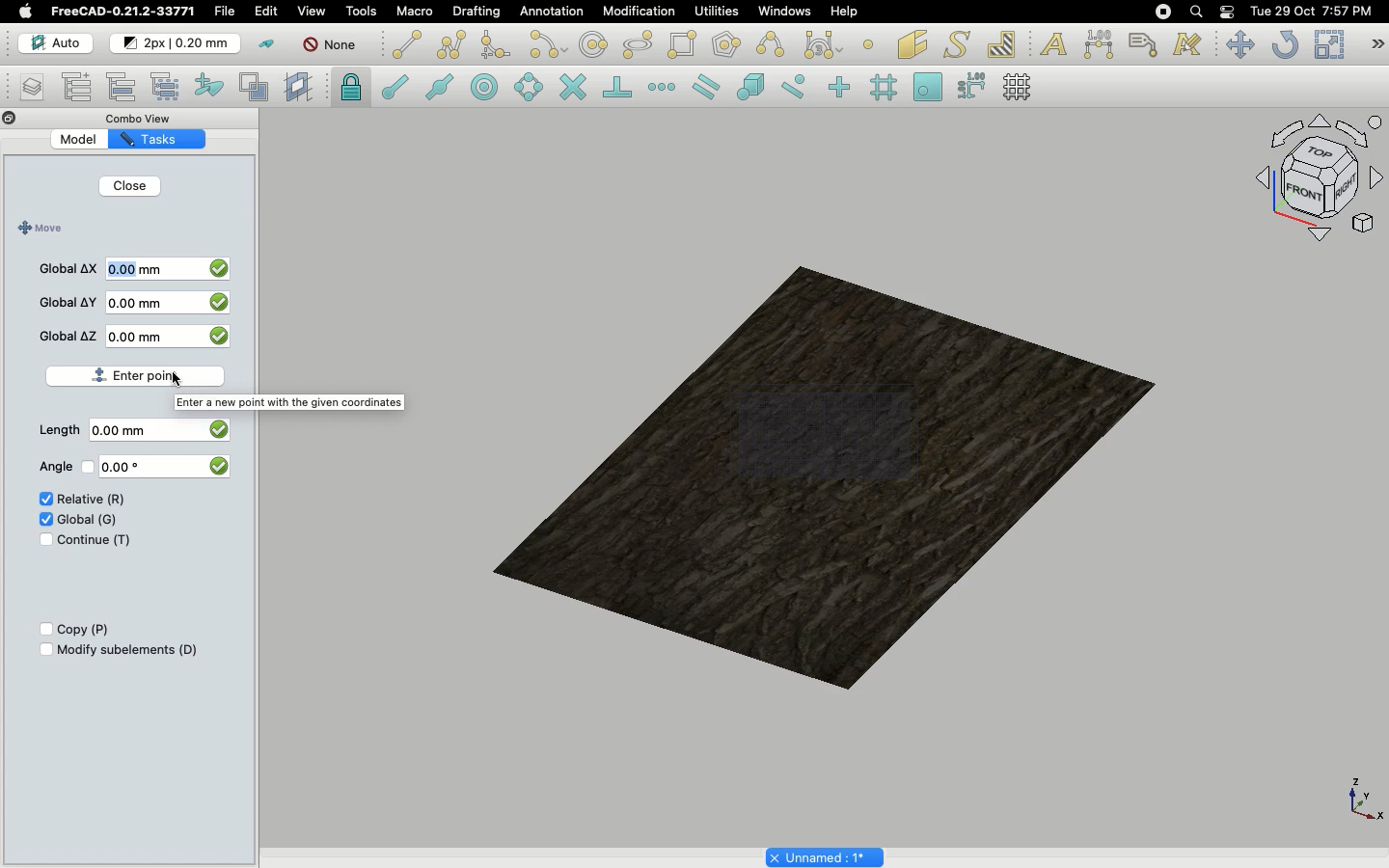  I want to click on Auto, so click(57, 43).